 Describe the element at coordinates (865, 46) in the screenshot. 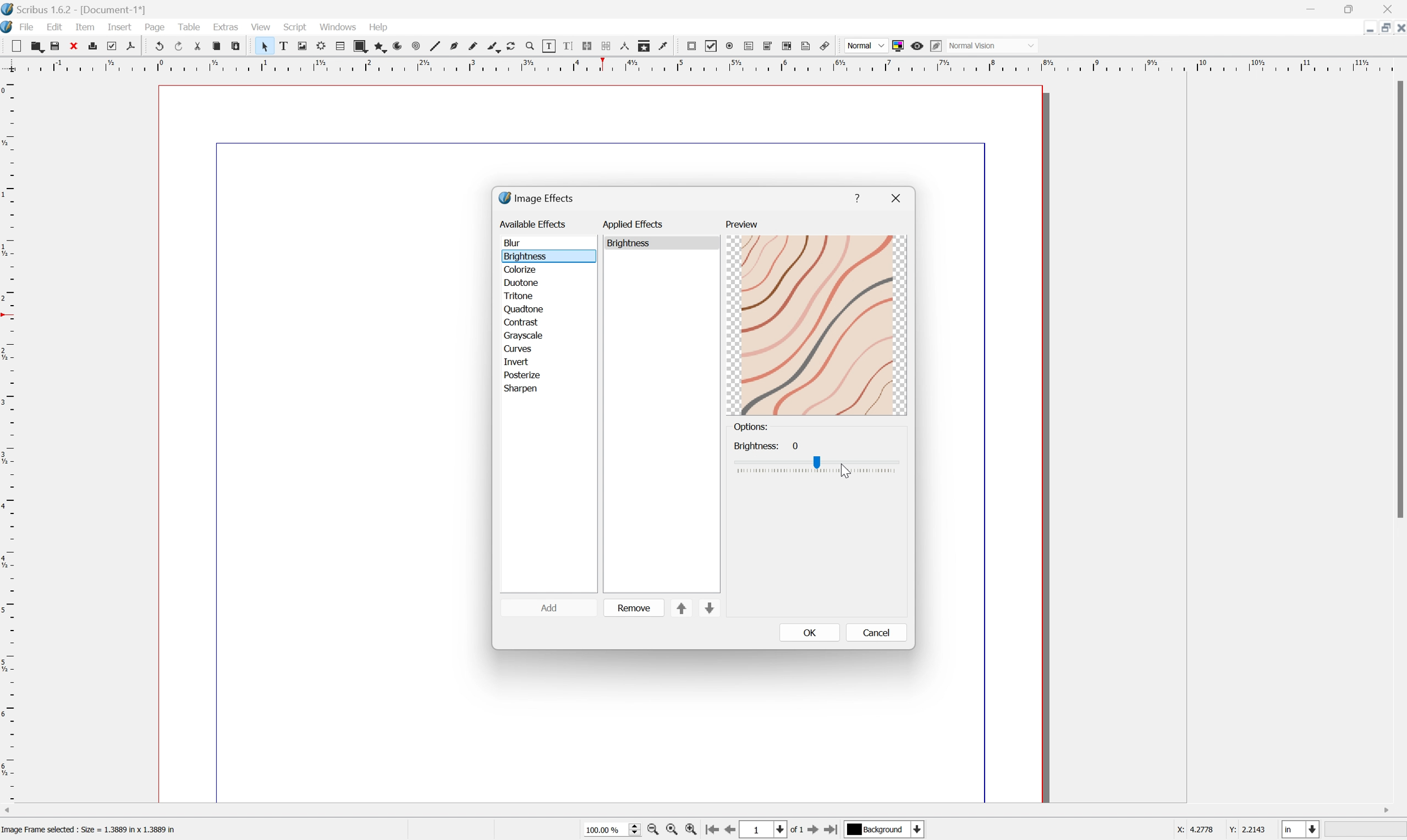

I see `Normal` at that location.